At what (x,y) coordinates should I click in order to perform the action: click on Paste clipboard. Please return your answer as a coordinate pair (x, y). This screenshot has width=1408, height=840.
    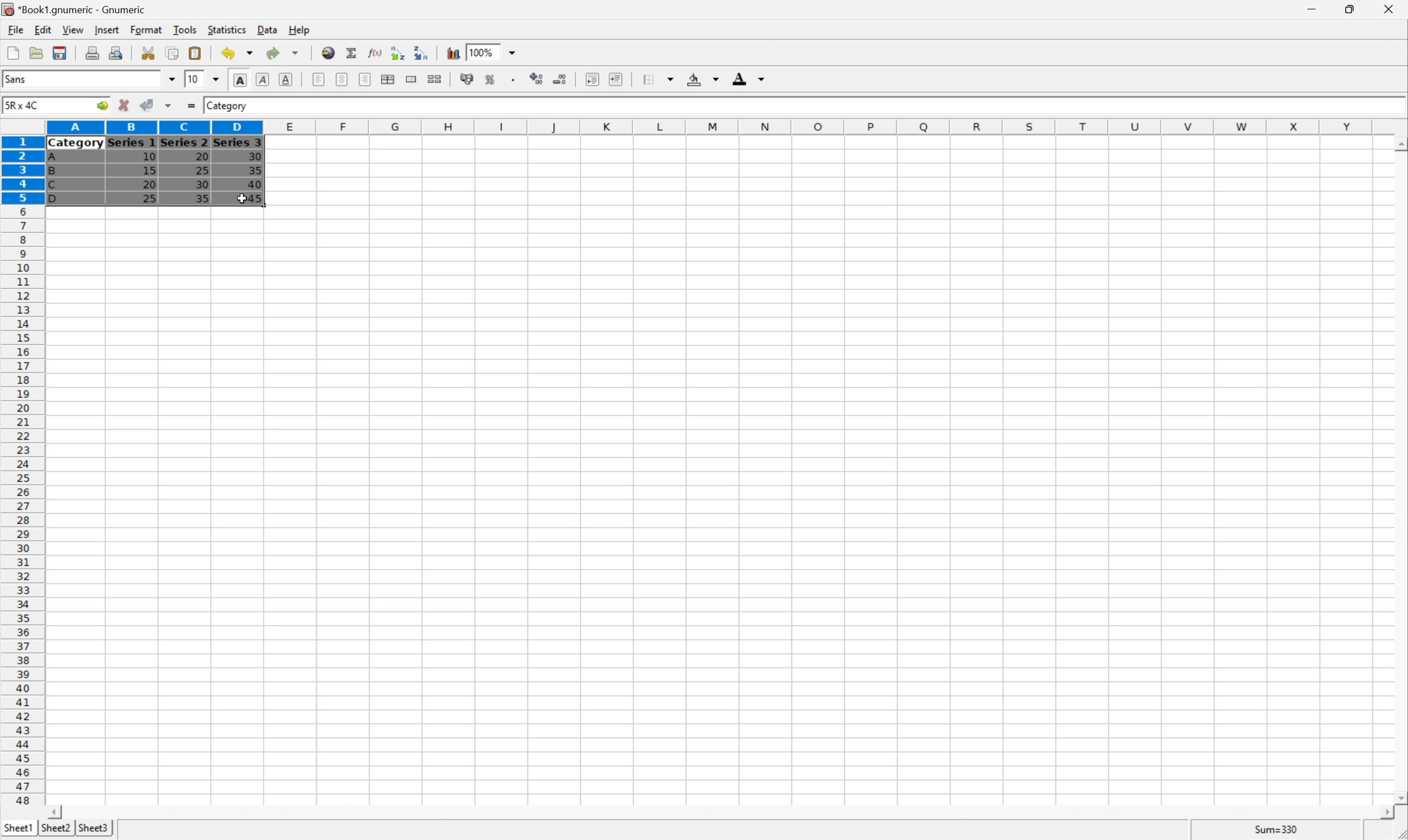
    Looking at the image, I should click on (195, 52).